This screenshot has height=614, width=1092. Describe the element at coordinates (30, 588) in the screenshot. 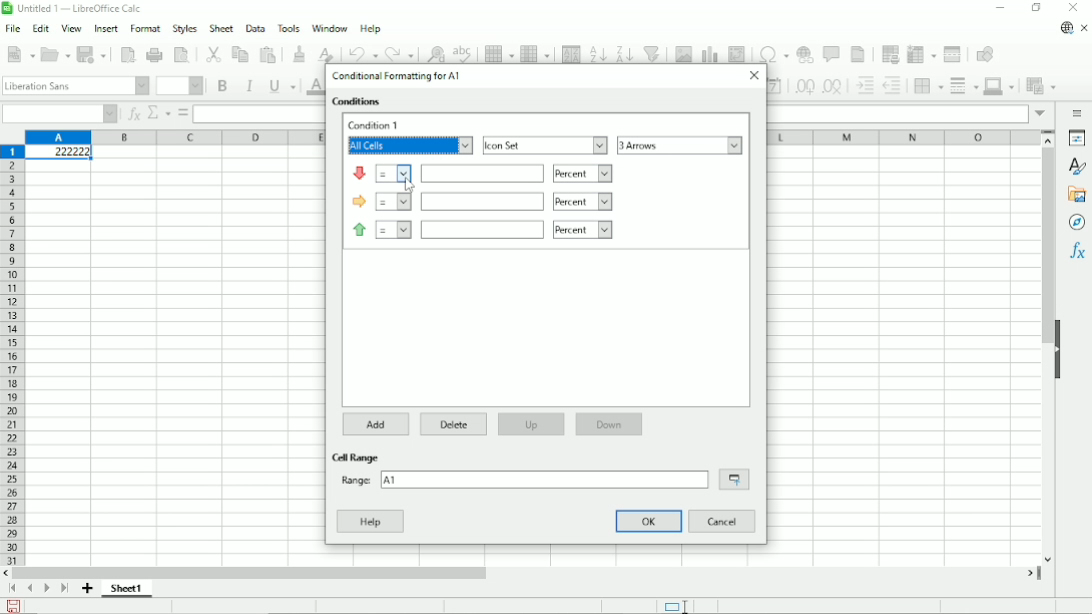

I see `Scroll to previous page` at that location.